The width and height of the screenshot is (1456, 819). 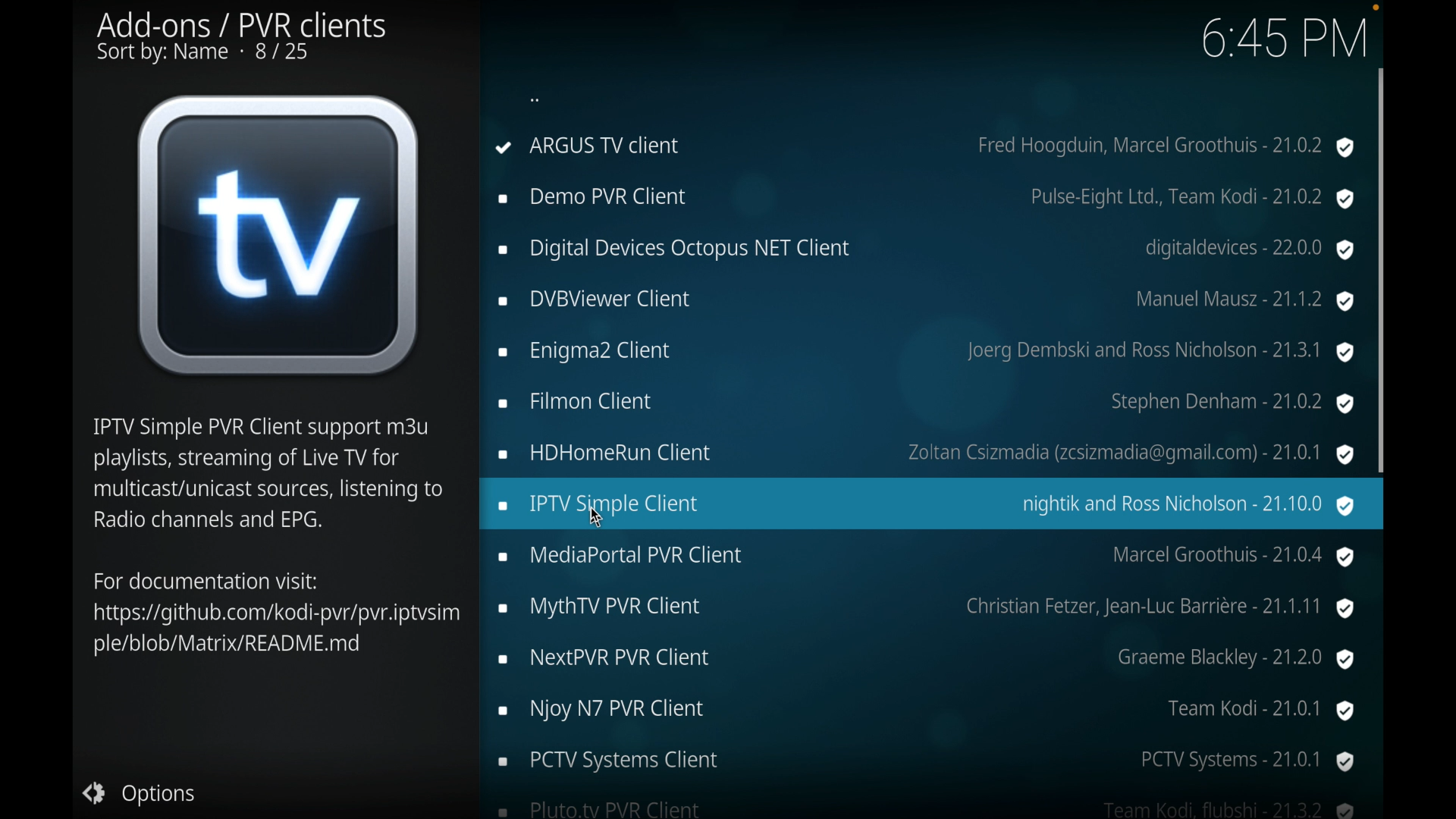 What do you see at coordinates (927, 455) in the screenshot?
I see `hdhomerun client` at bounding box center [927, 455].